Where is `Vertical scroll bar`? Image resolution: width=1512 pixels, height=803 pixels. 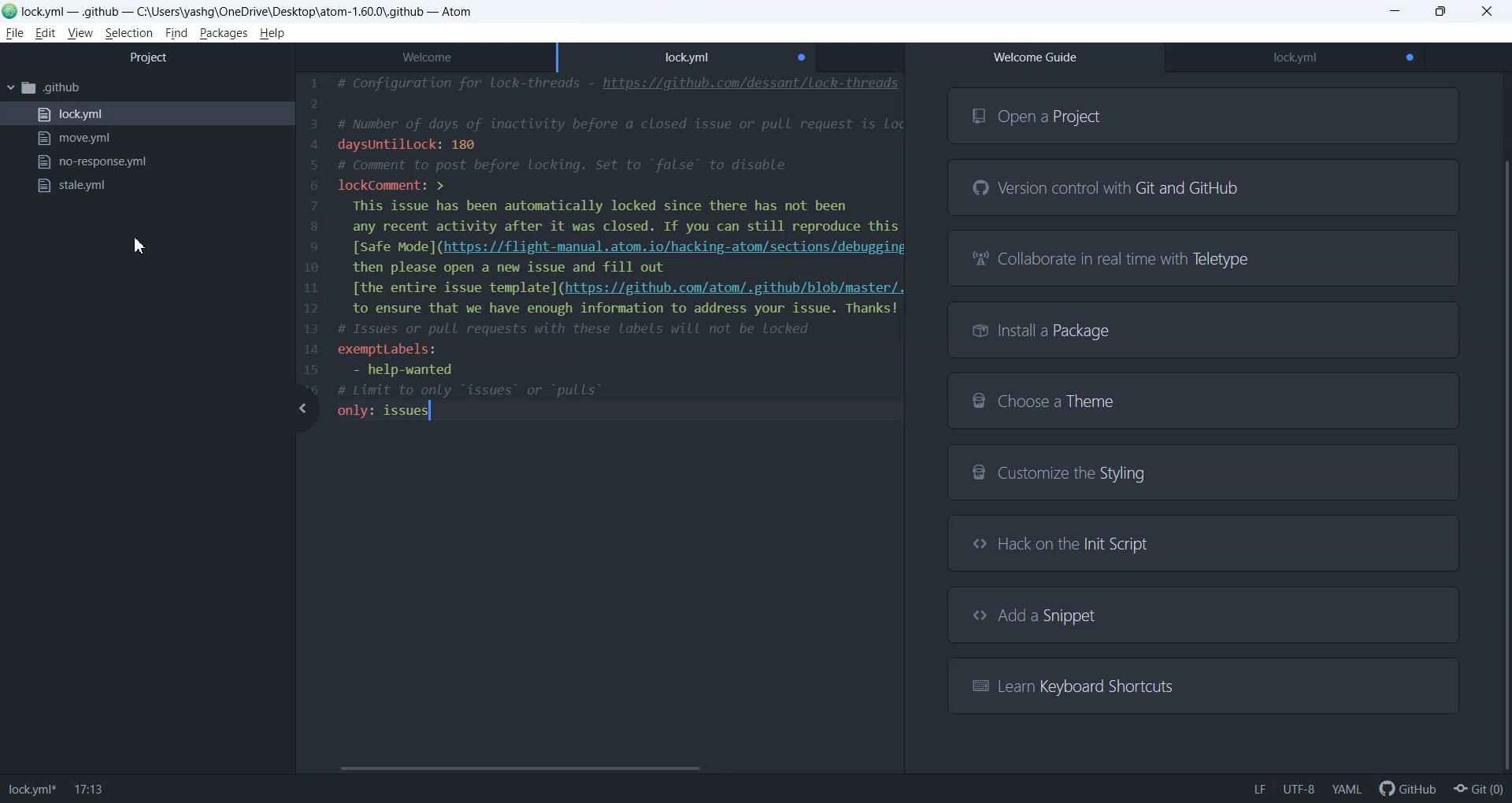
Vertical scroll bar is located at coordinates (1503, 426).